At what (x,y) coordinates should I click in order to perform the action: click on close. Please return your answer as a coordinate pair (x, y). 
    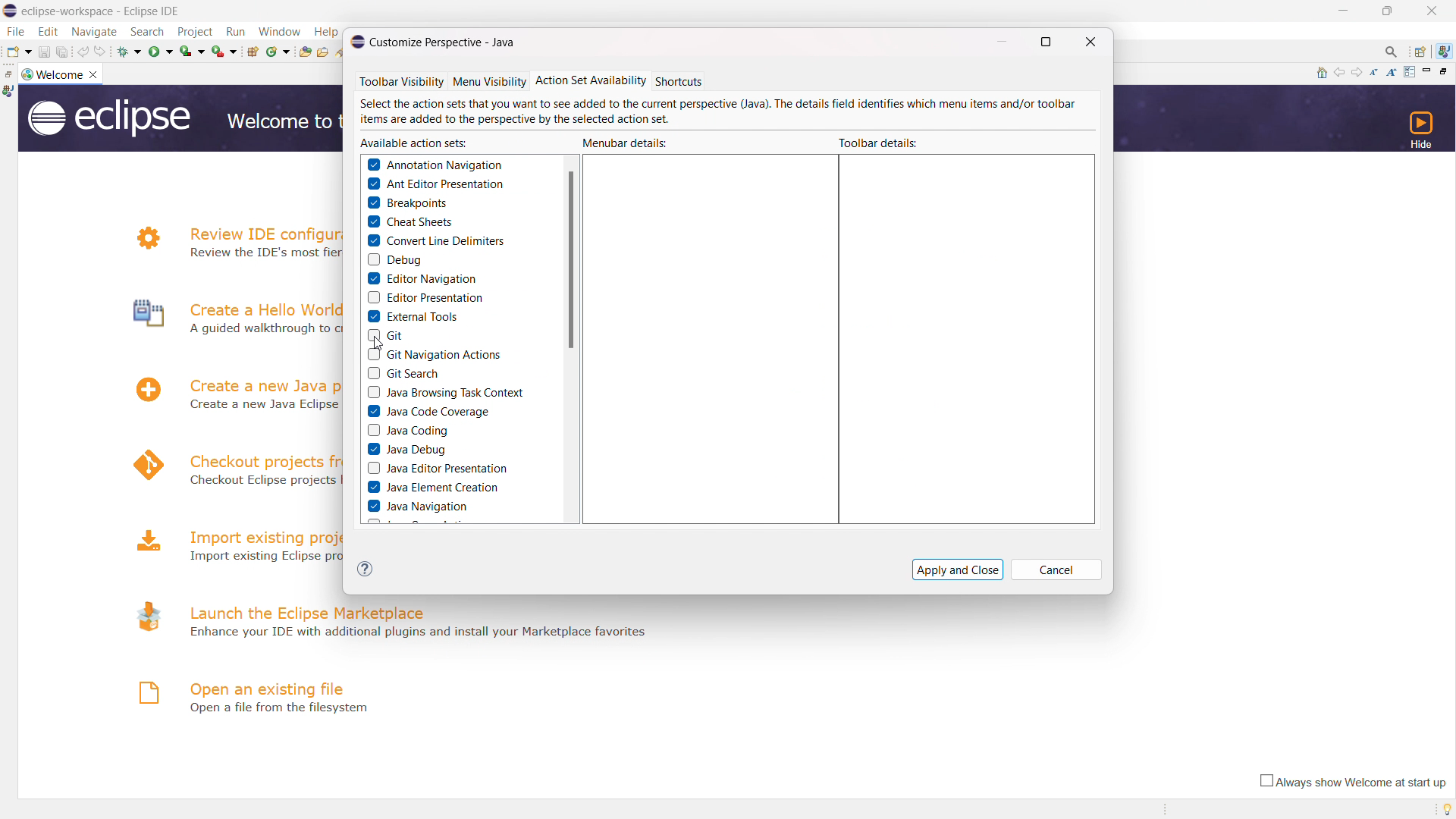
    Looking at the image, I should click on (96, 74).